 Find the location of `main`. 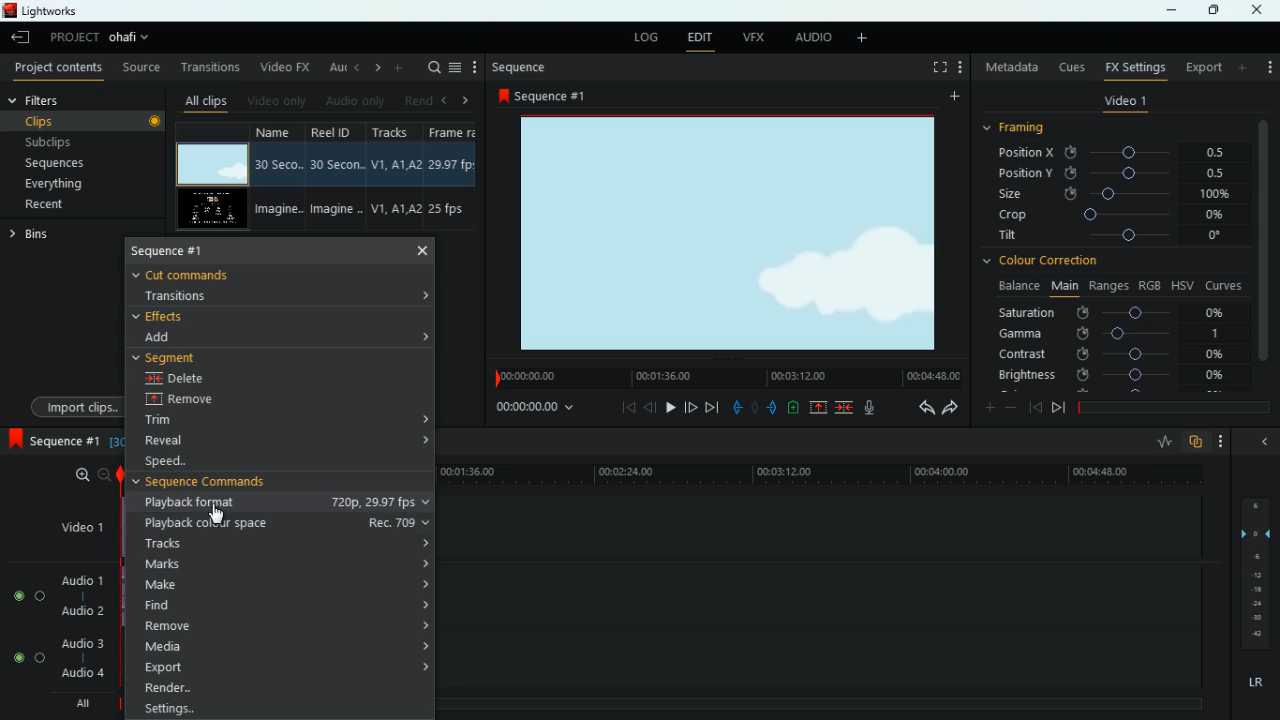

main is located at coordinates (1064, 285).